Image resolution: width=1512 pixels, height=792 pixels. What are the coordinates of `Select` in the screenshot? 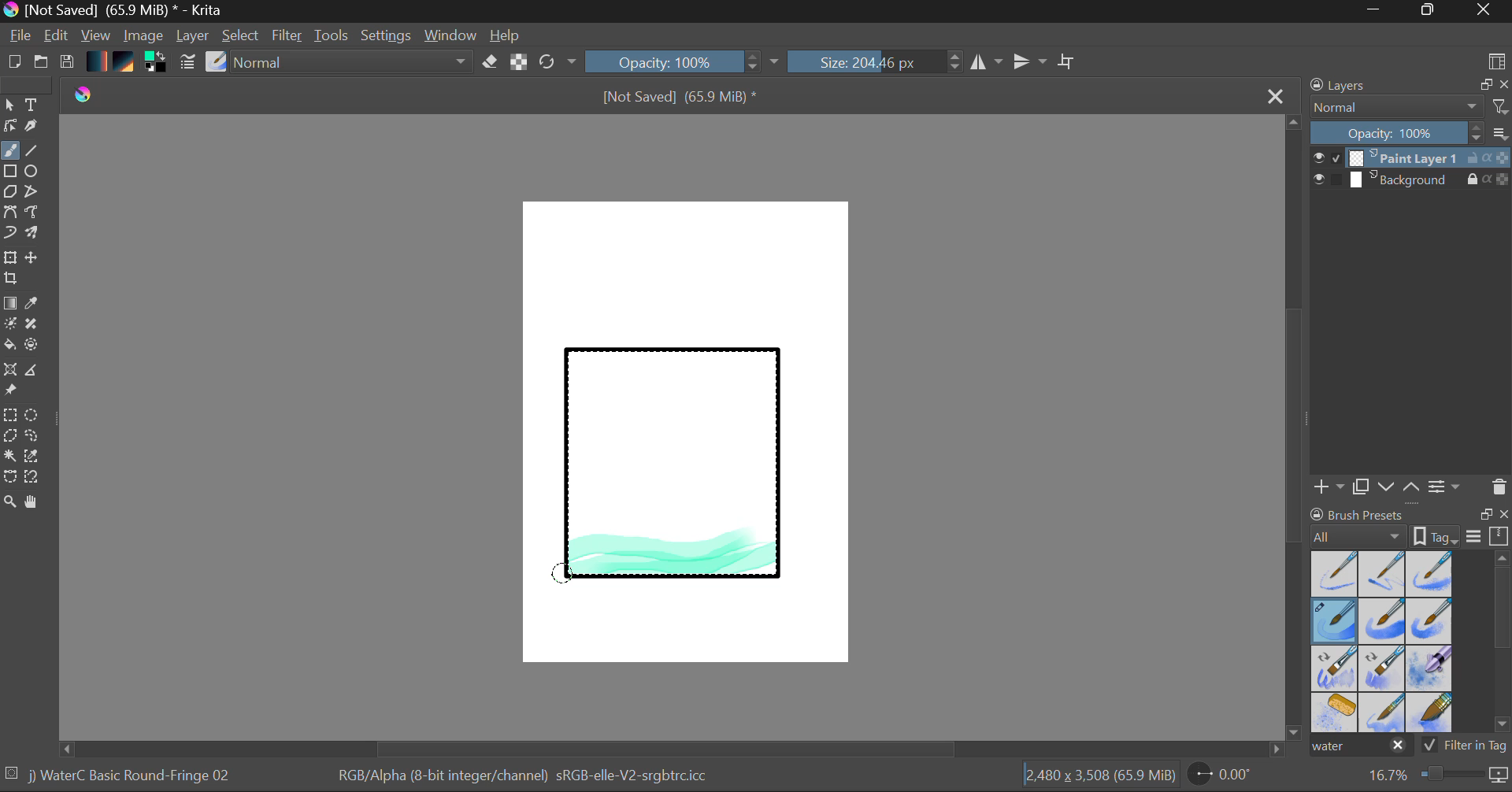 It's located at (9, 105).